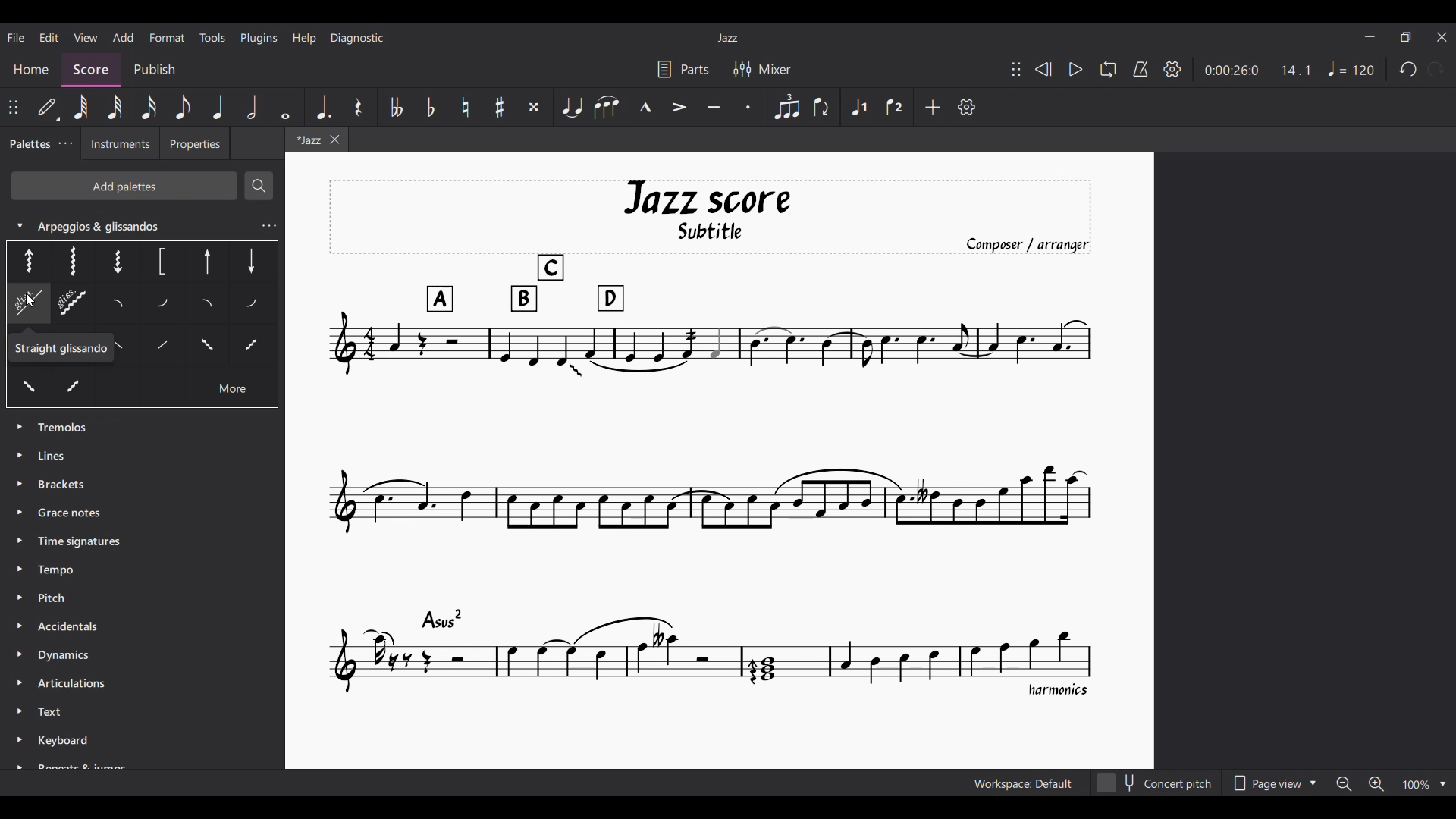 The image size is (1456, 819). What do you see at coordinates (1141, 69) in the screenshot?
I see `Metronome` at bounding box center [1141, 69].